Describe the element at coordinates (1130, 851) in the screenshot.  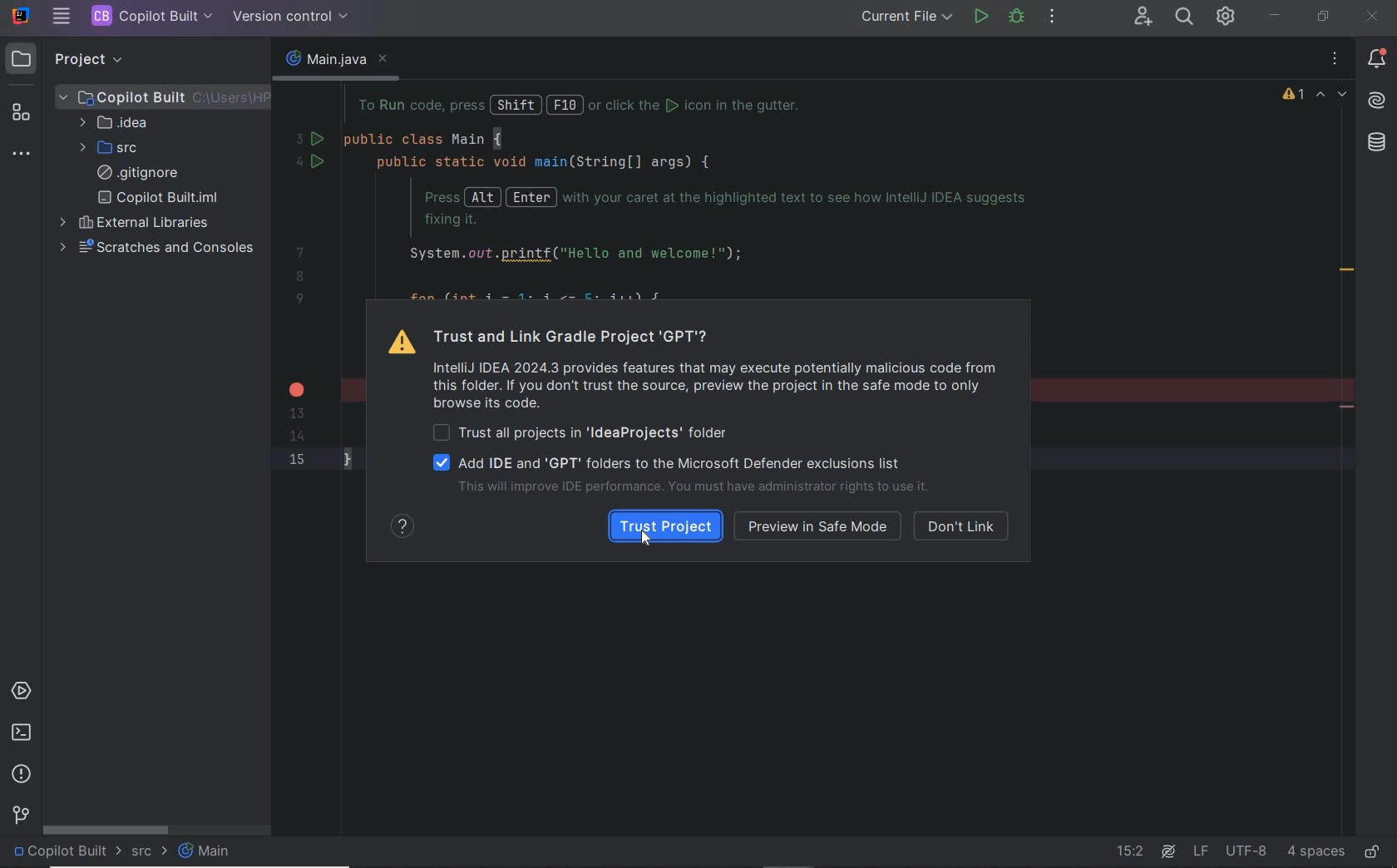
I see `go to line` at that location.